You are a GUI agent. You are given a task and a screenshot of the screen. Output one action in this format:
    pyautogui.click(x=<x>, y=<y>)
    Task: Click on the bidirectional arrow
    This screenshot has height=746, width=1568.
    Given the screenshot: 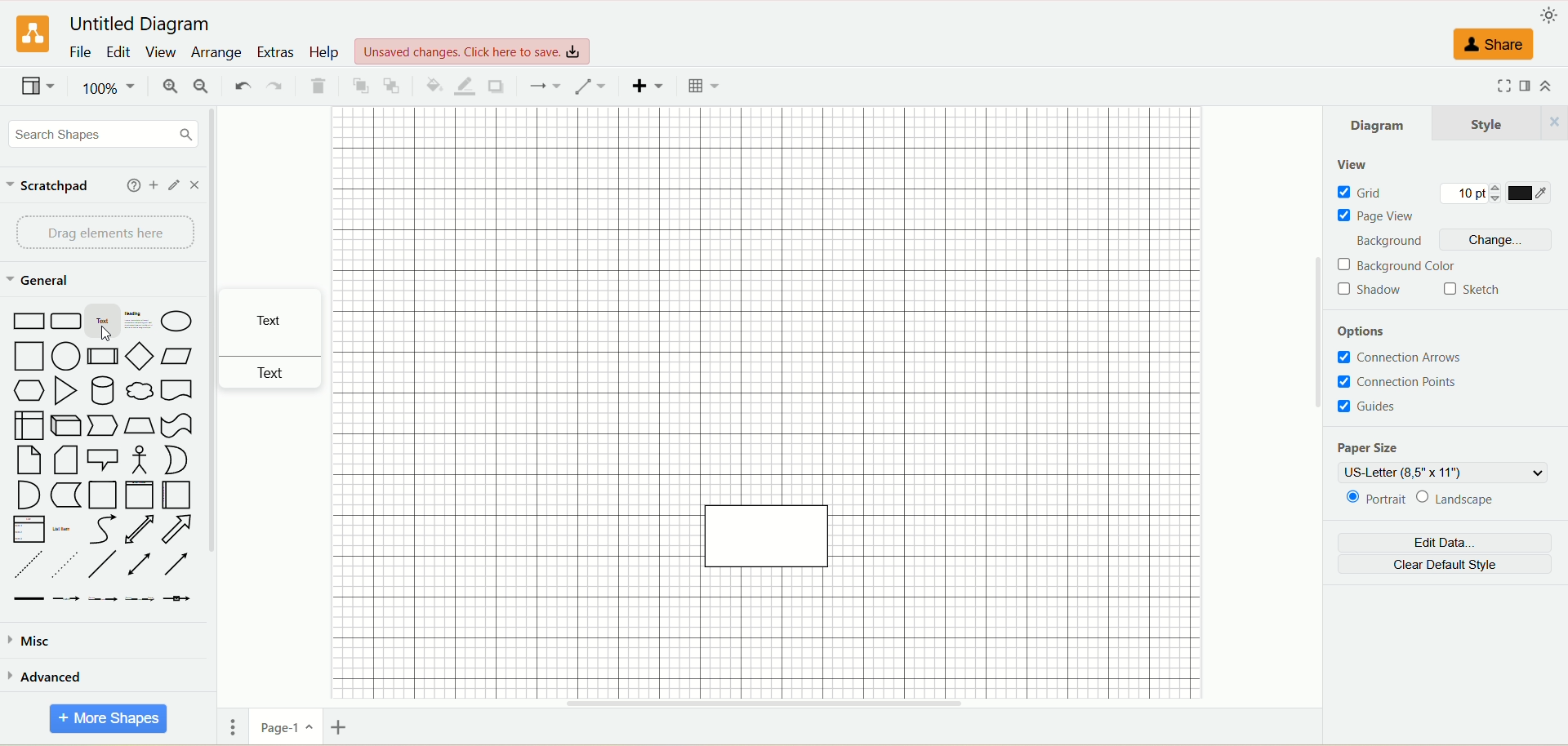 What is the action you would take?
    pyautogui.click(x=140, y=529)
    